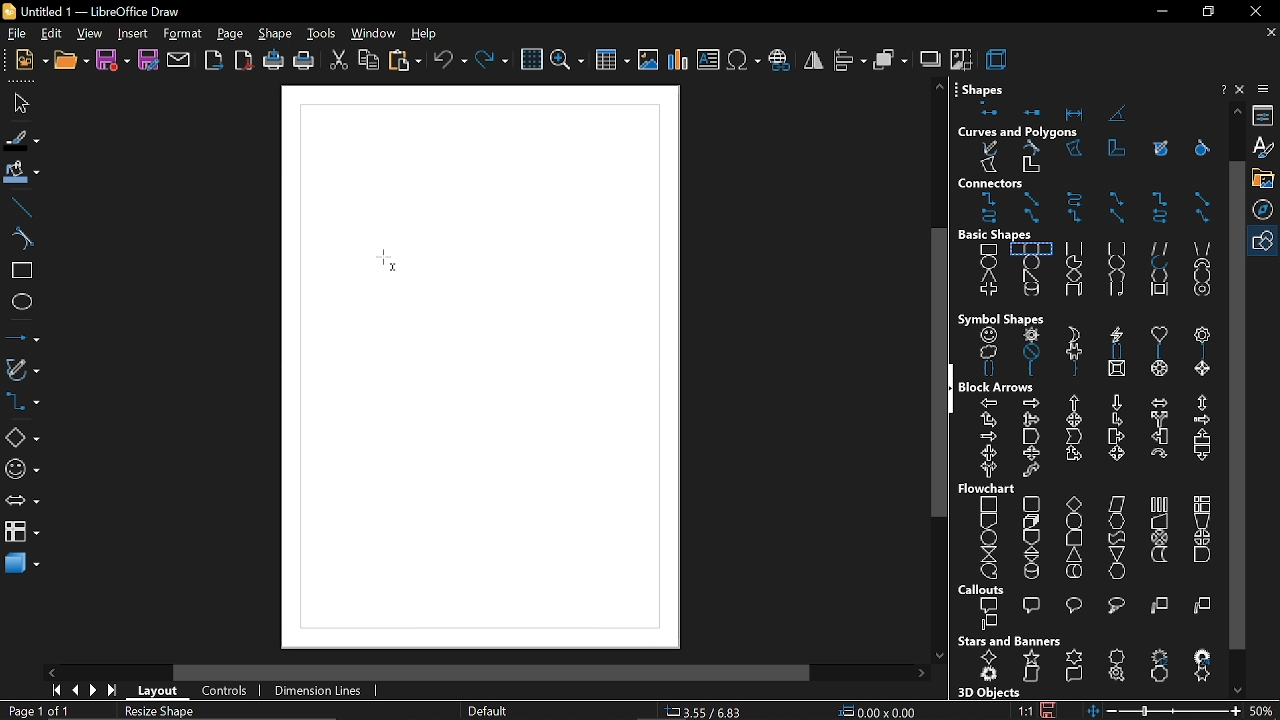 This screenshot has height=720, width=1280. What do you see at coordinates (780, 61) in the screenshot?
I see `insert hyperlink` at bounding box center [780, 61].